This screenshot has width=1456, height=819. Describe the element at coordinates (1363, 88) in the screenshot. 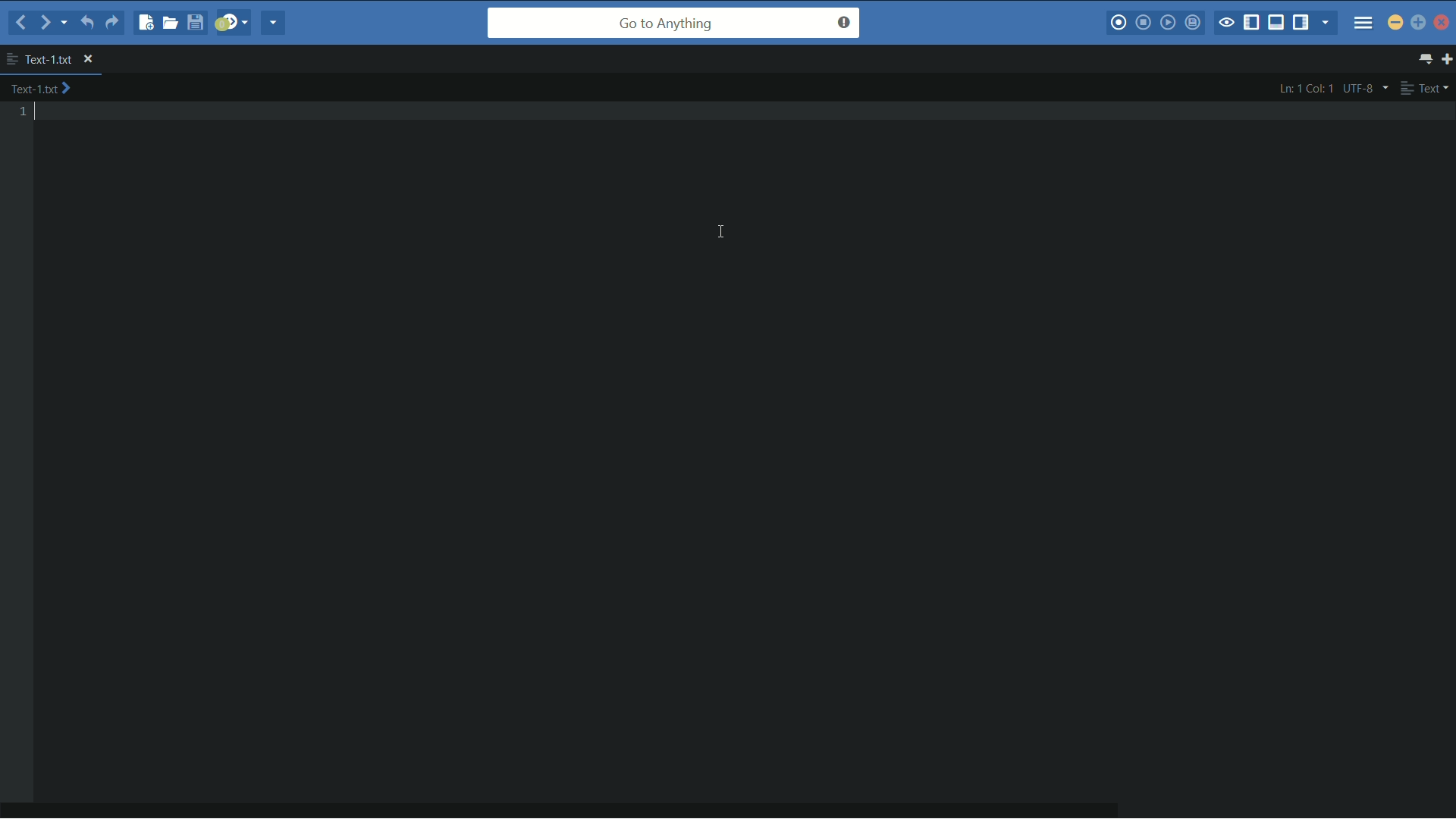

I see `UTF-8` at that location.